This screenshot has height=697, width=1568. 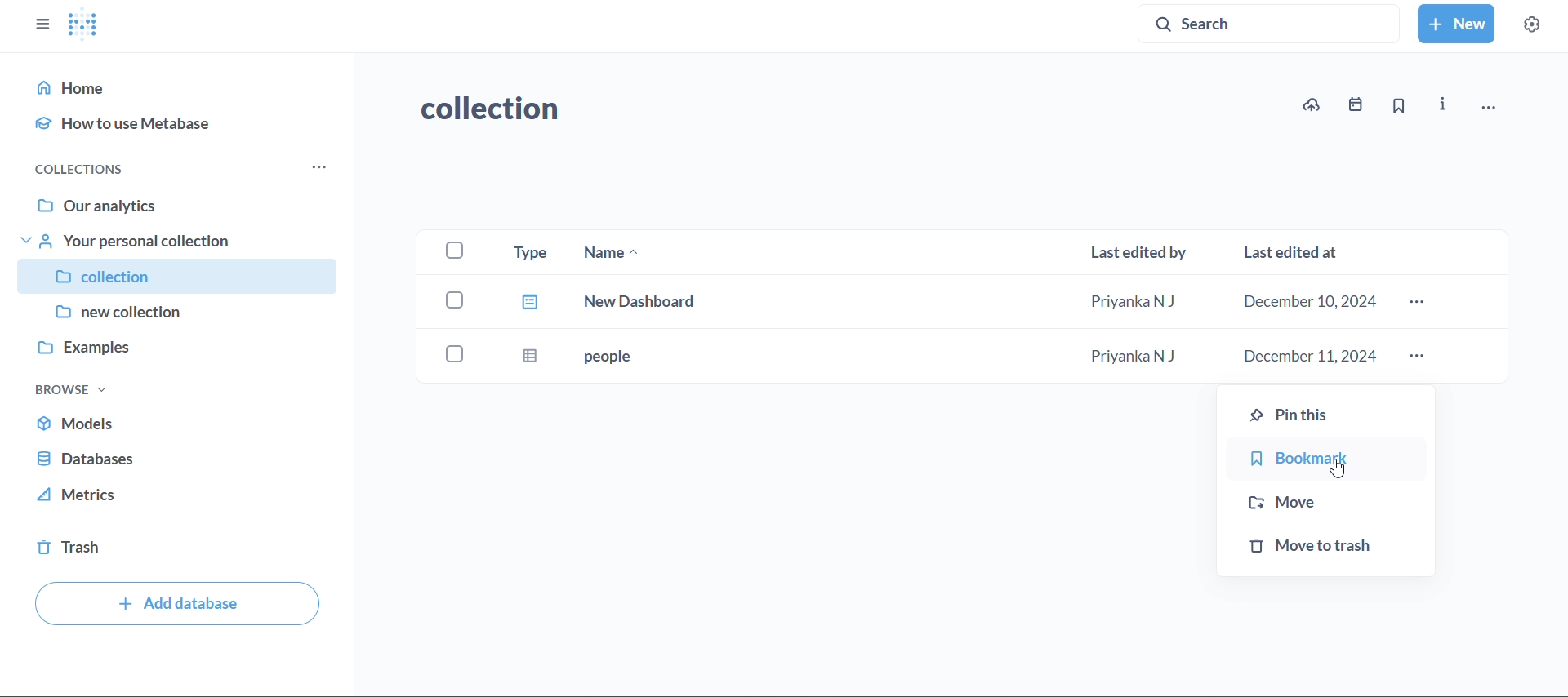 What do you see at coordinates (93, 167) in the screenshot?
I see `collections` at bounding box center [93, 167].